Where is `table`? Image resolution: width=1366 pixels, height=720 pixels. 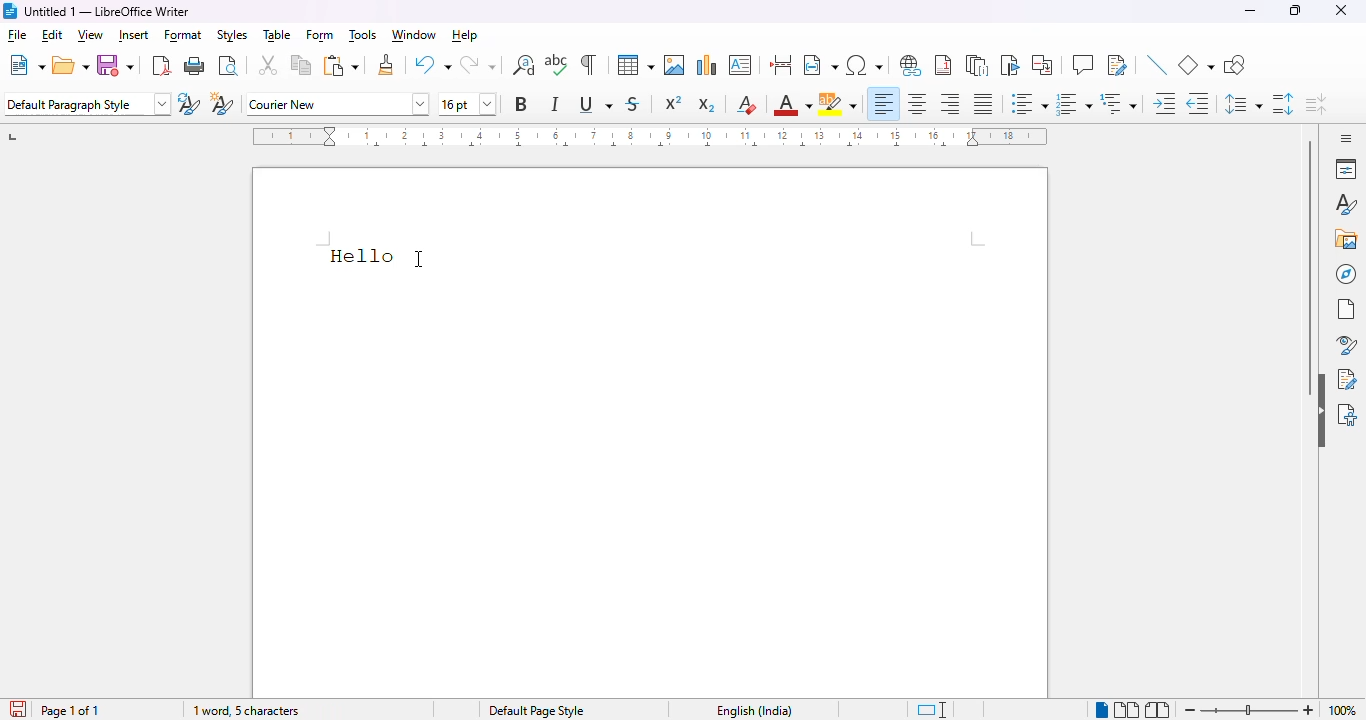
table is located at coordinates (277, 35).